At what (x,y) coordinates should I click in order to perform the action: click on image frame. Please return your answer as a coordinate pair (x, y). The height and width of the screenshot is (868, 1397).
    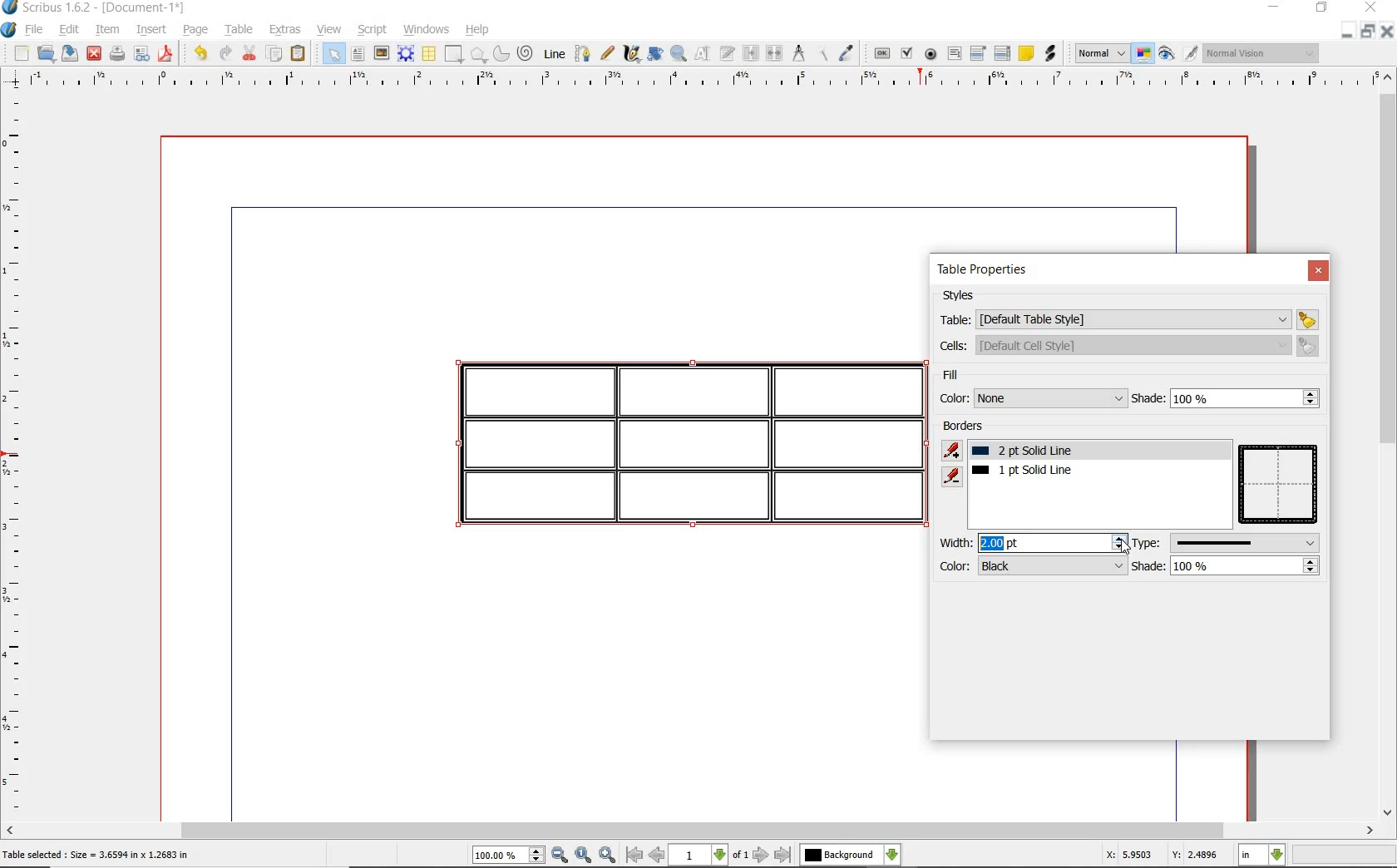
    Looking at the image, I should click on (382, 54).